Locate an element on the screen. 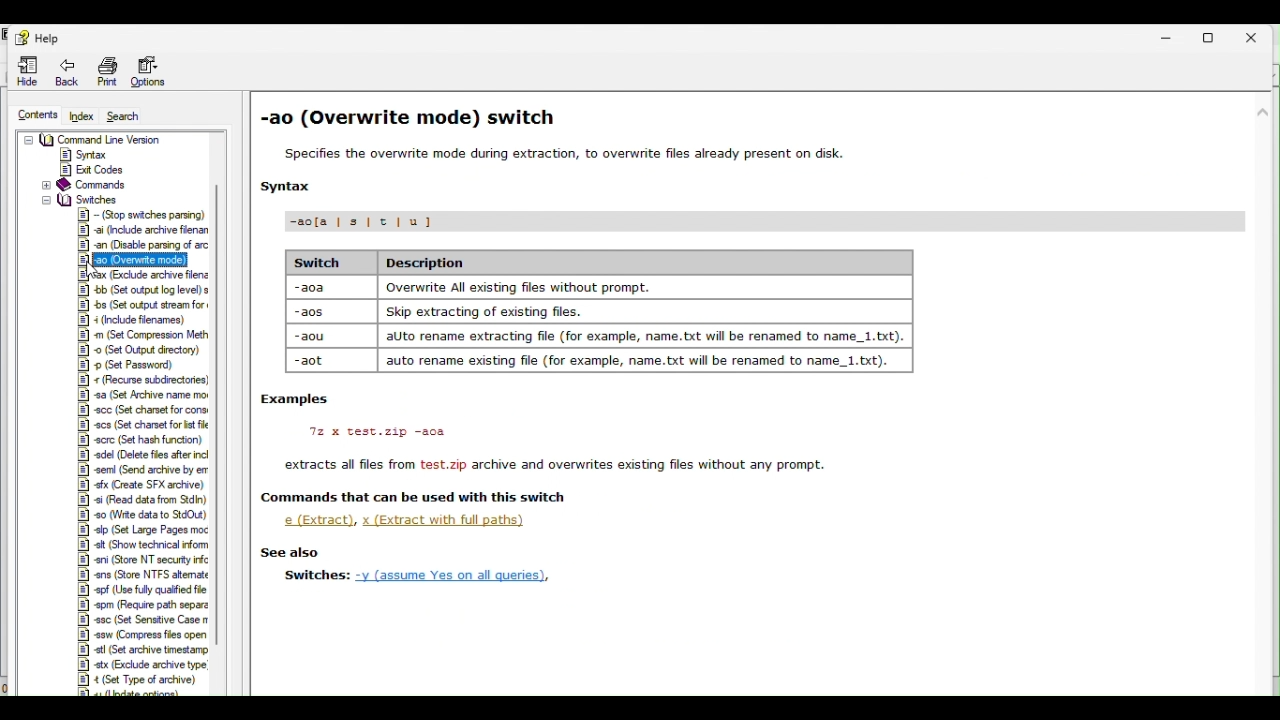 The width and height of the screenshot is (1280, 720). |&] ani (Store NT security infc | is located at coordinates (146, 558).